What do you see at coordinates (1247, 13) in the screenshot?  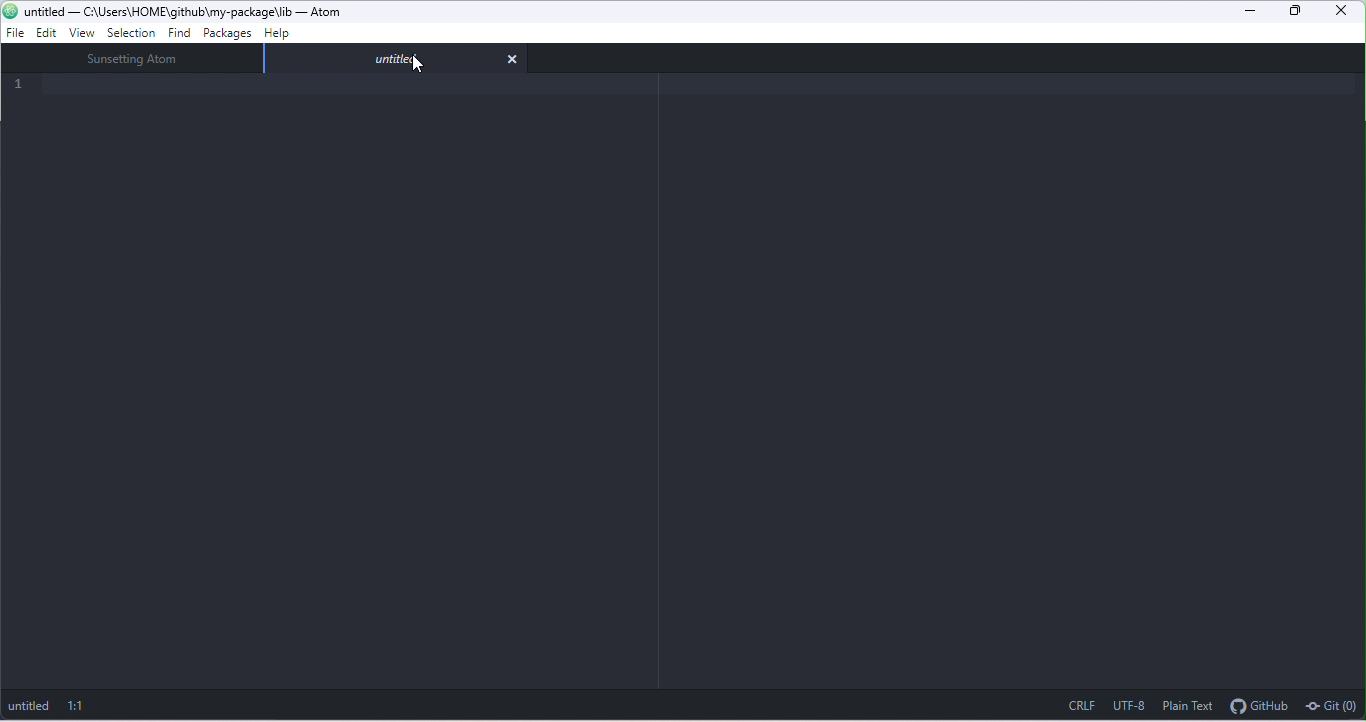 I see `minimize` at bounding box center [1247, 13].